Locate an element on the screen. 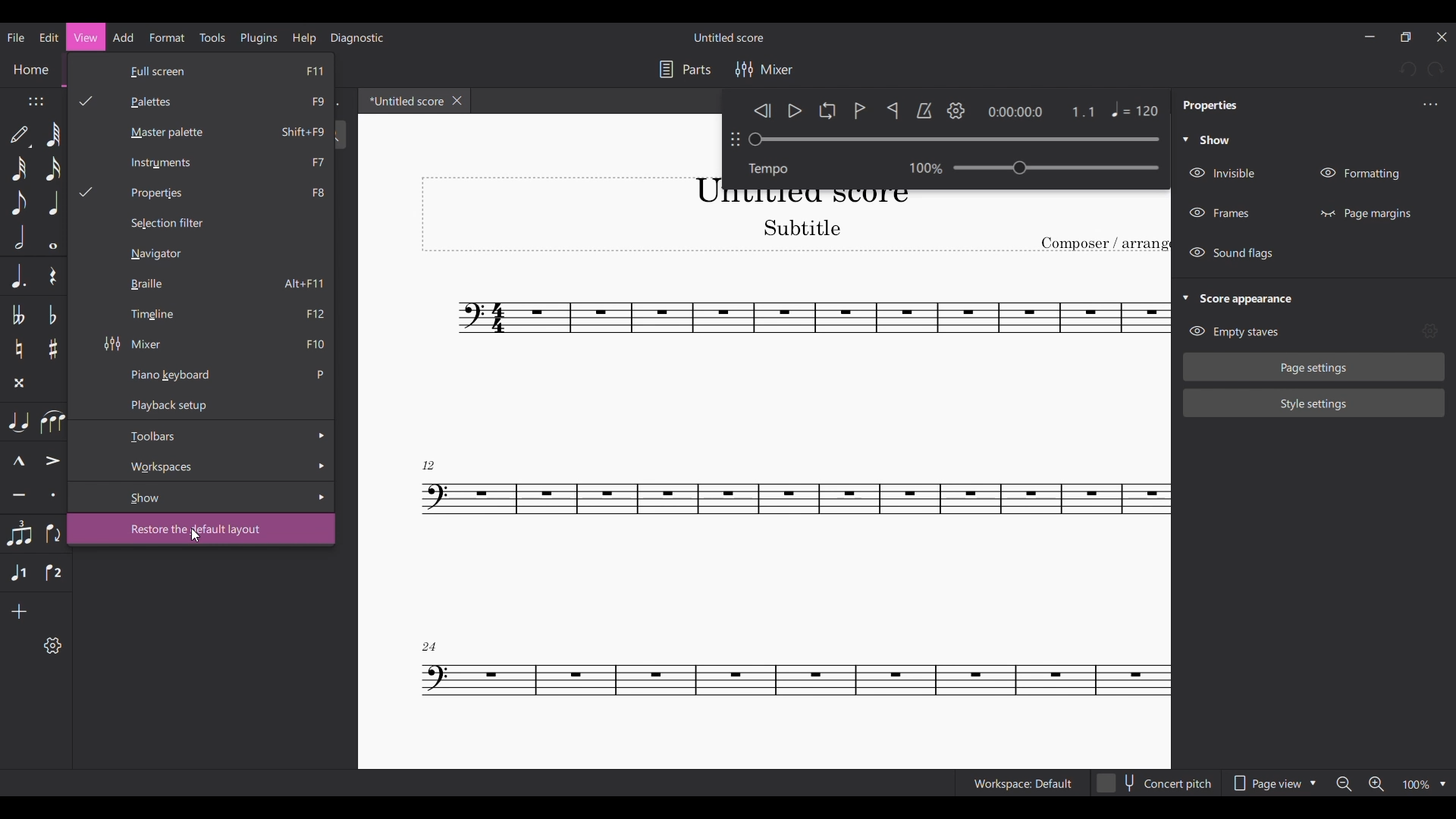 Image resolution: width=1456 pixels, height=819 pixels. Set loop marker right is located at coordinates (892, 110).